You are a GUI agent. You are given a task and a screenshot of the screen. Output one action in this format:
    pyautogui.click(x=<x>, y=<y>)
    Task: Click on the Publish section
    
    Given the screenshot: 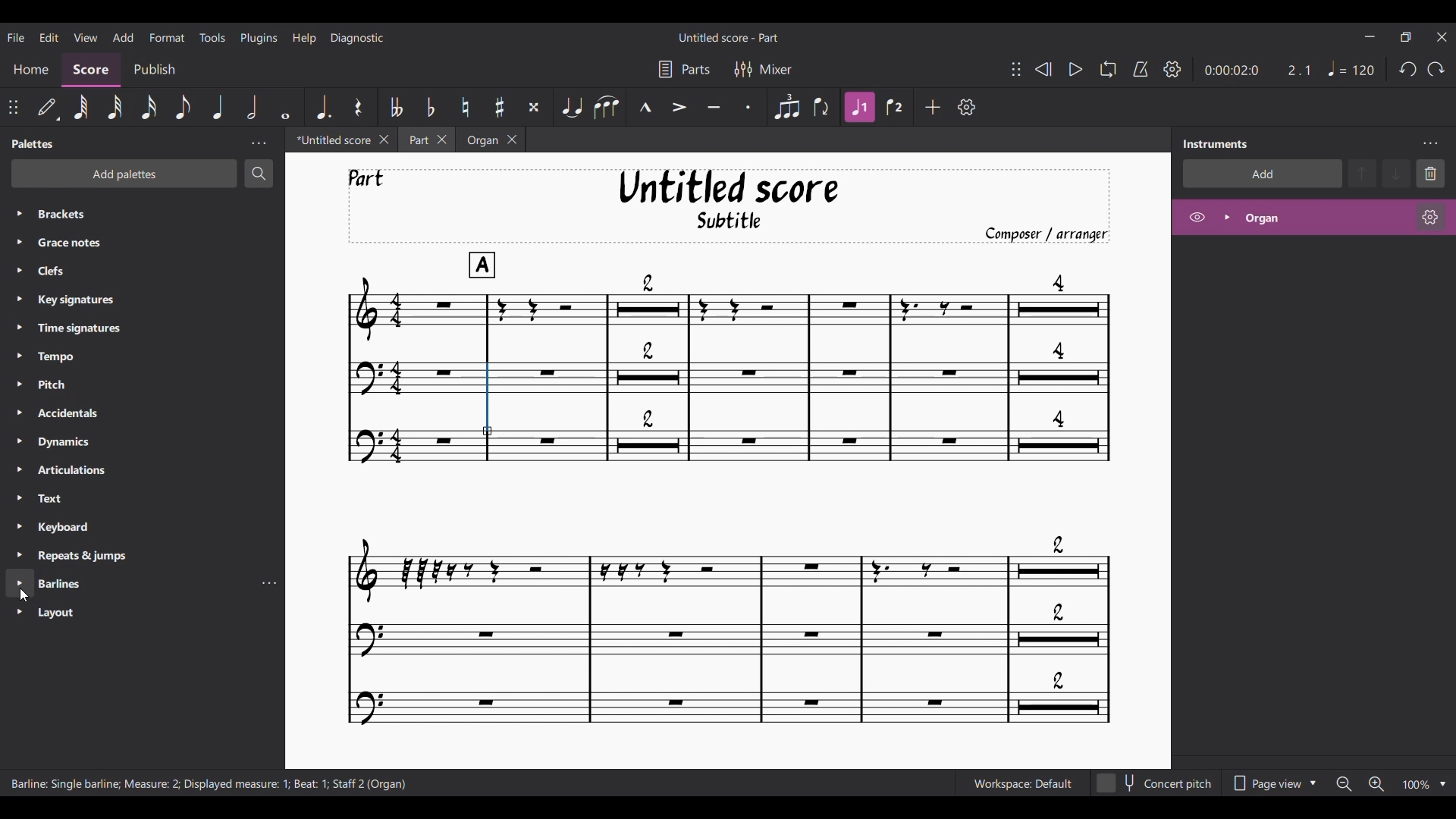 What is the action you would take?
    pyautogui.click(x=157, y=71)
    